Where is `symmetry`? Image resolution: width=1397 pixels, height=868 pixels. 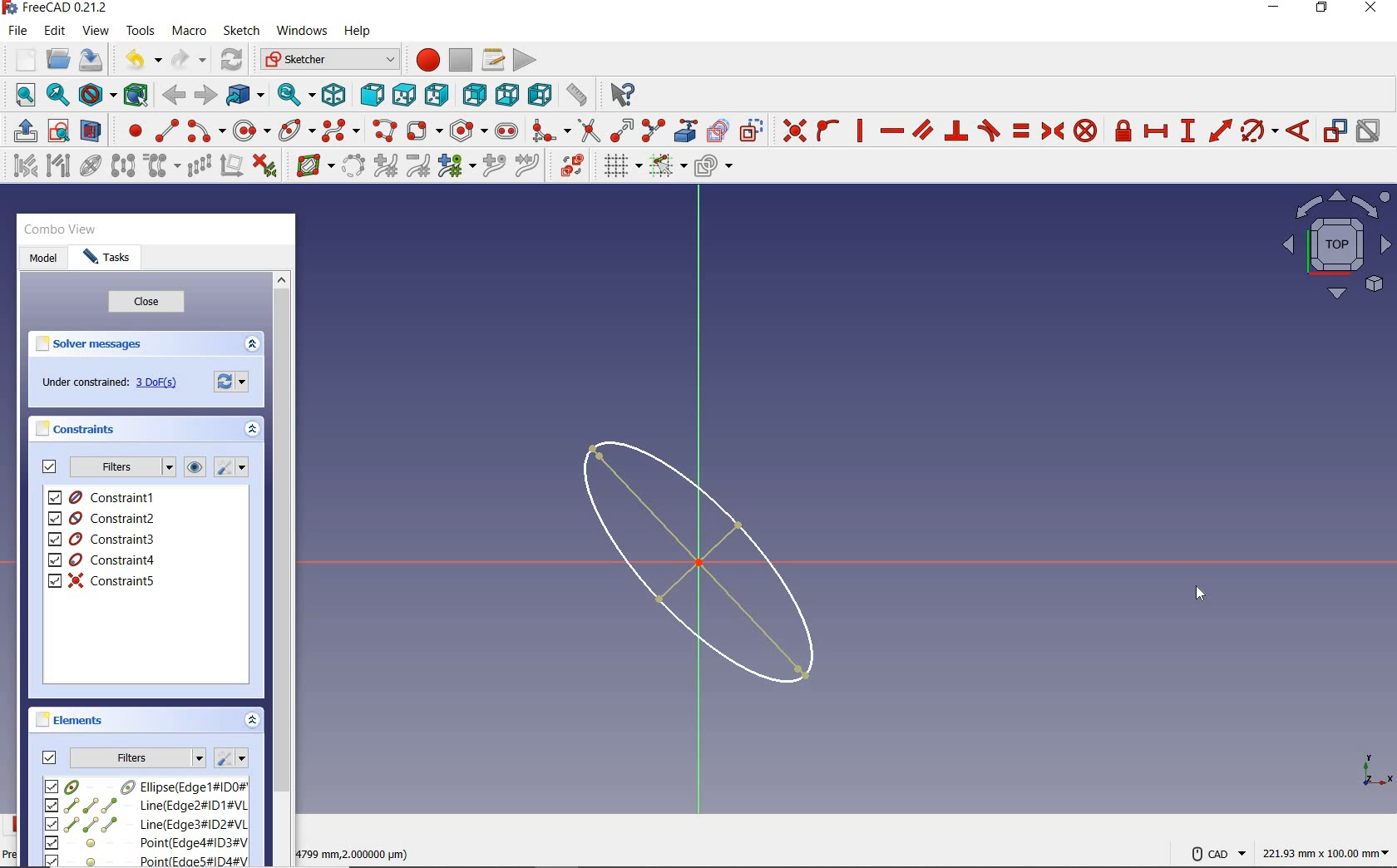 symmetry is located at coordinates (124, 165).